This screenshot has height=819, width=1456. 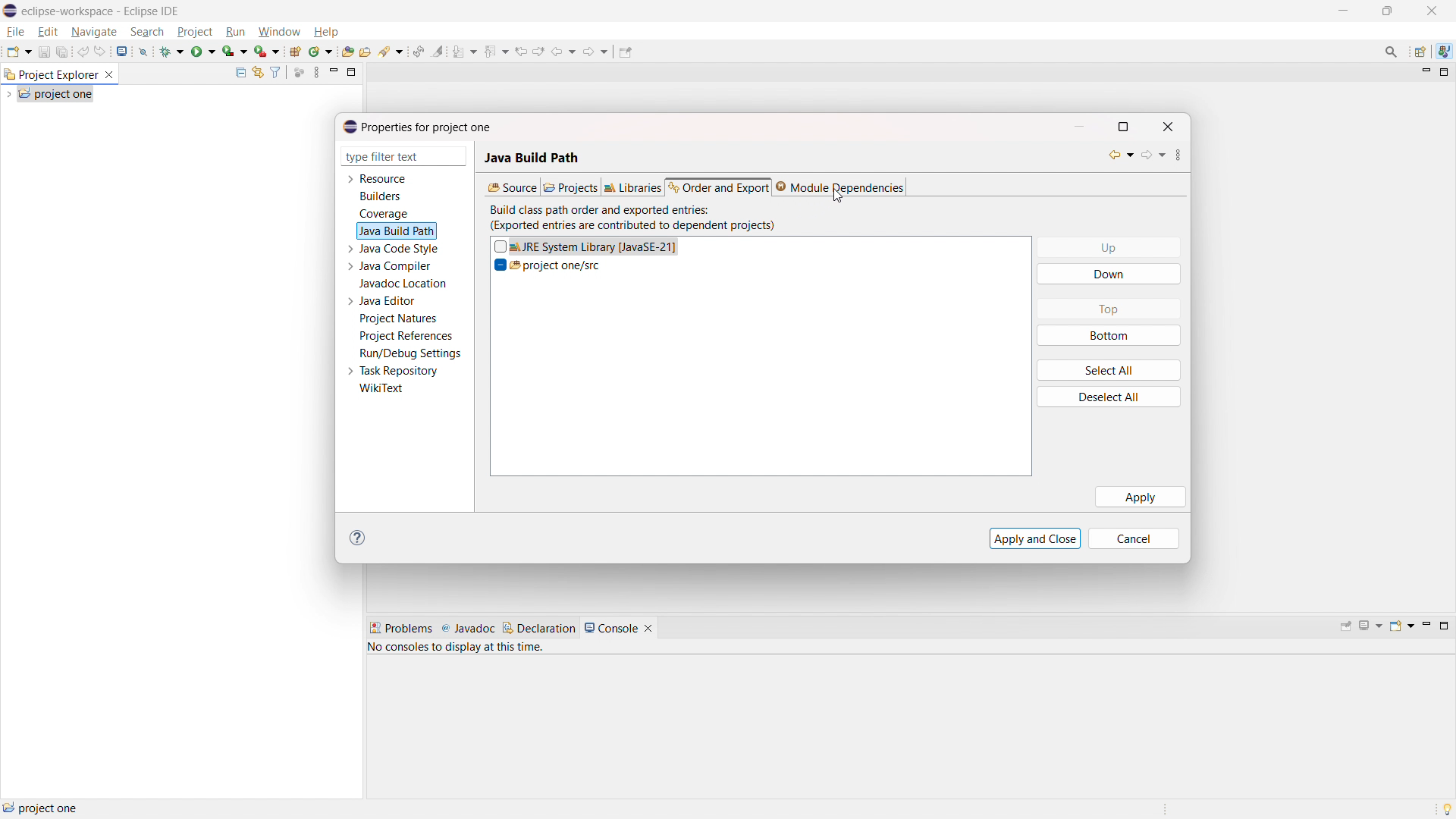 What do you see at coordinates (400, 249) in the screenshot?
I see `java code style` at bounding box center [400, 249].